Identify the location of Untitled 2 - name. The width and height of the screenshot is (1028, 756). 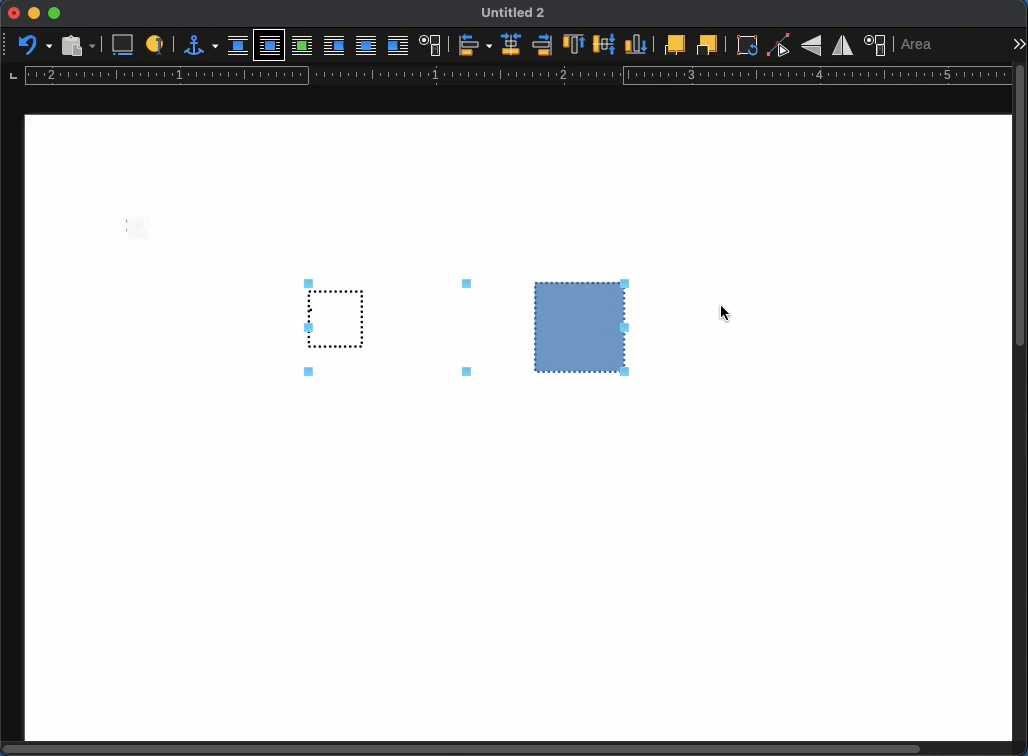
(515, 11).